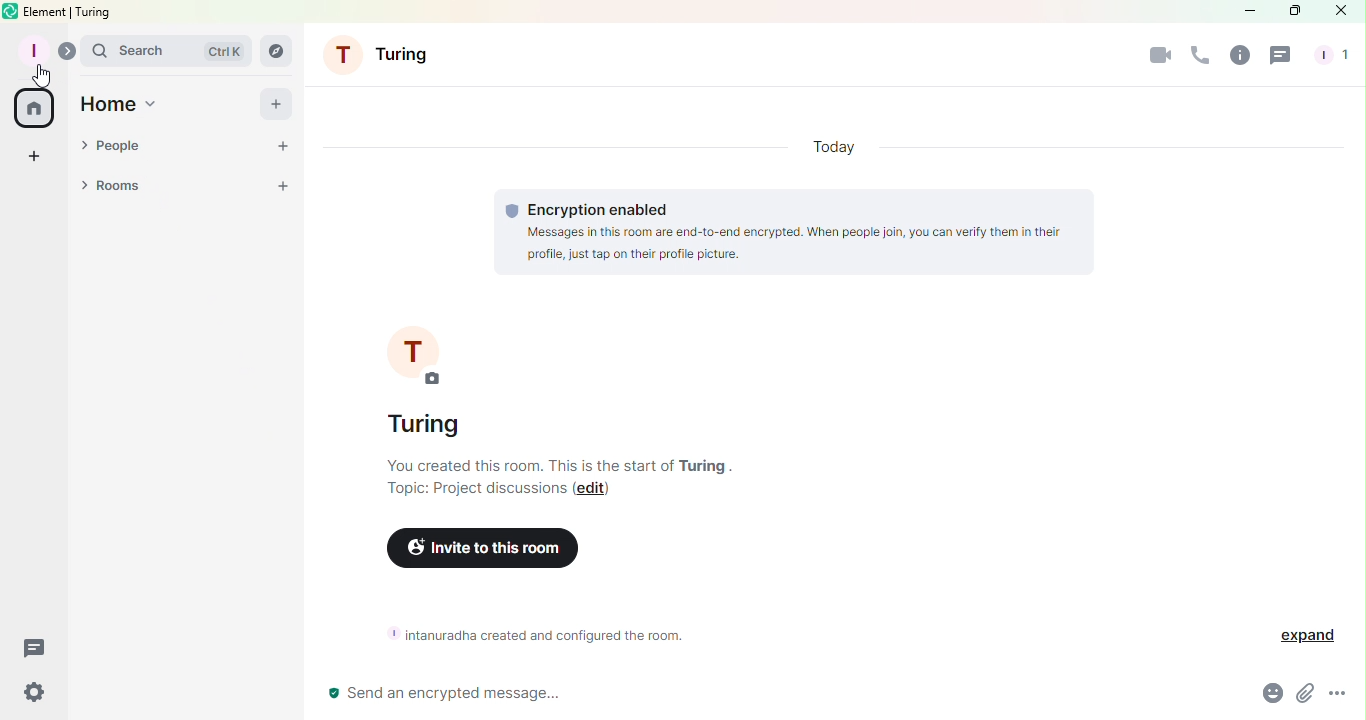 The image size is (1366, 720). Describe the element at coordinates (35, 110) in the screenshot. I see `Home` at that location.